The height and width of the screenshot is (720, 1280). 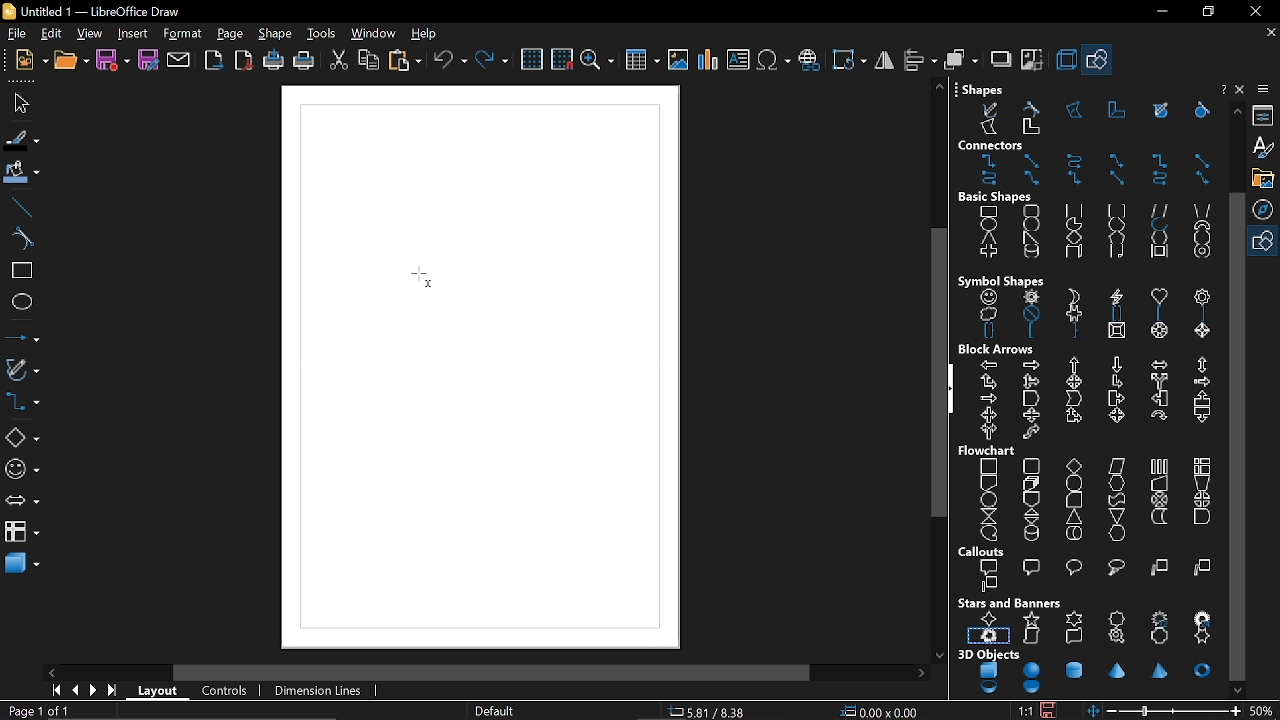 What do you see at coordinates (21, 405) in the screenshot?
I see `connectors` at bounding box center [21, 405].